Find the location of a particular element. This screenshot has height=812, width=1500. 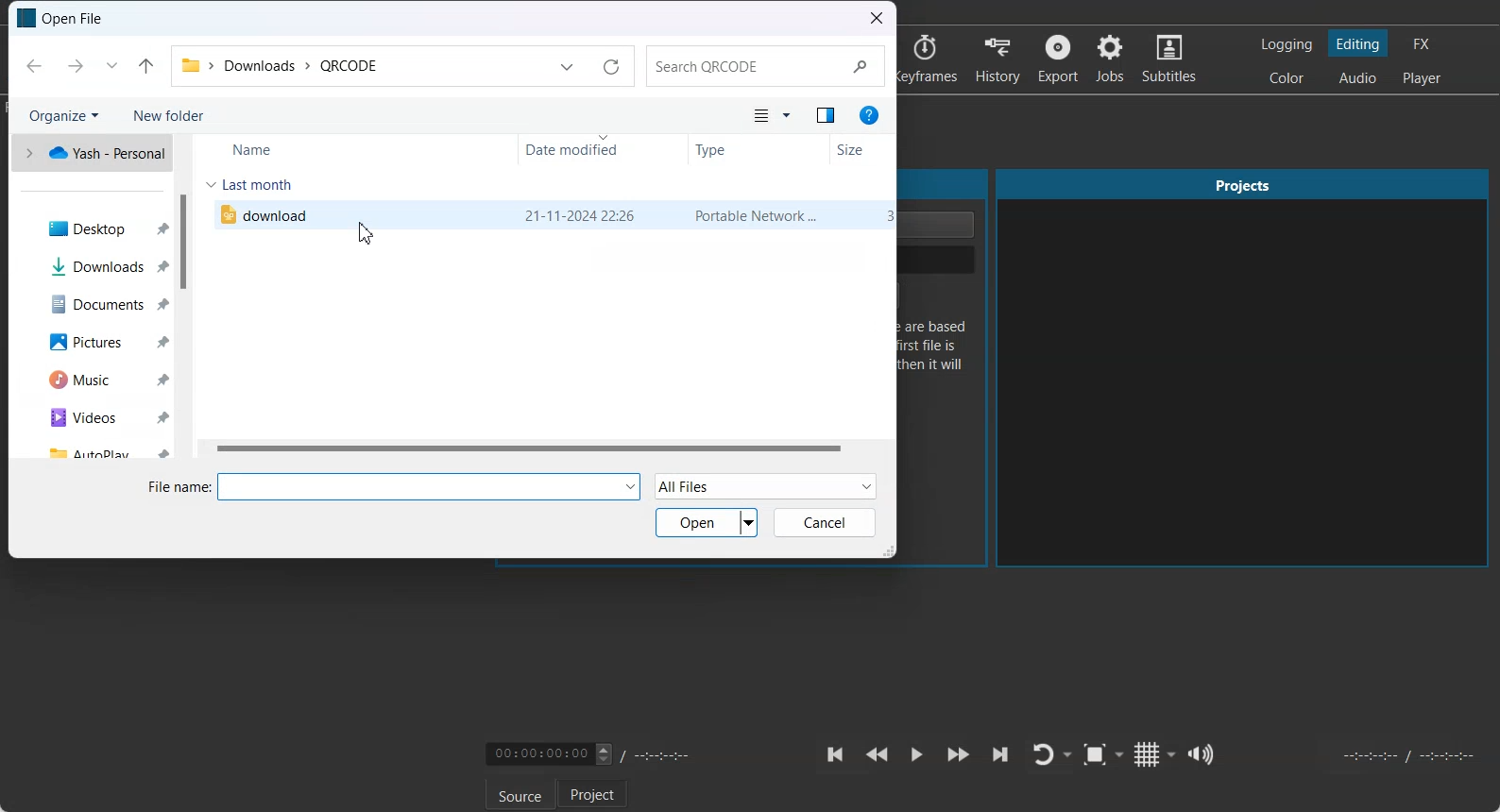

Previous Locations is located at coordinates (565, 67).